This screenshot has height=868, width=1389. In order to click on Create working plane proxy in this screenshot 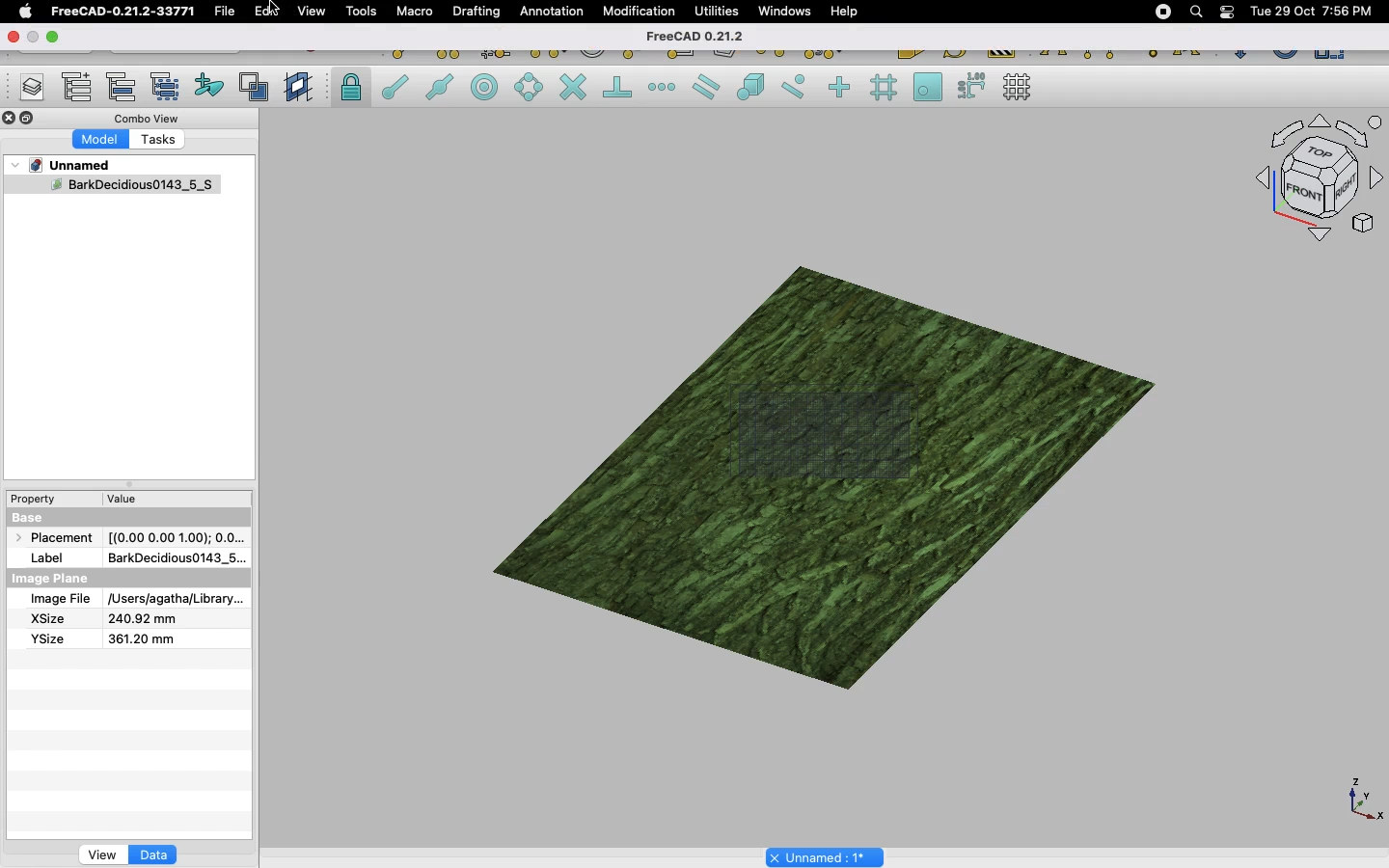, I will do `click(301, 88)`.